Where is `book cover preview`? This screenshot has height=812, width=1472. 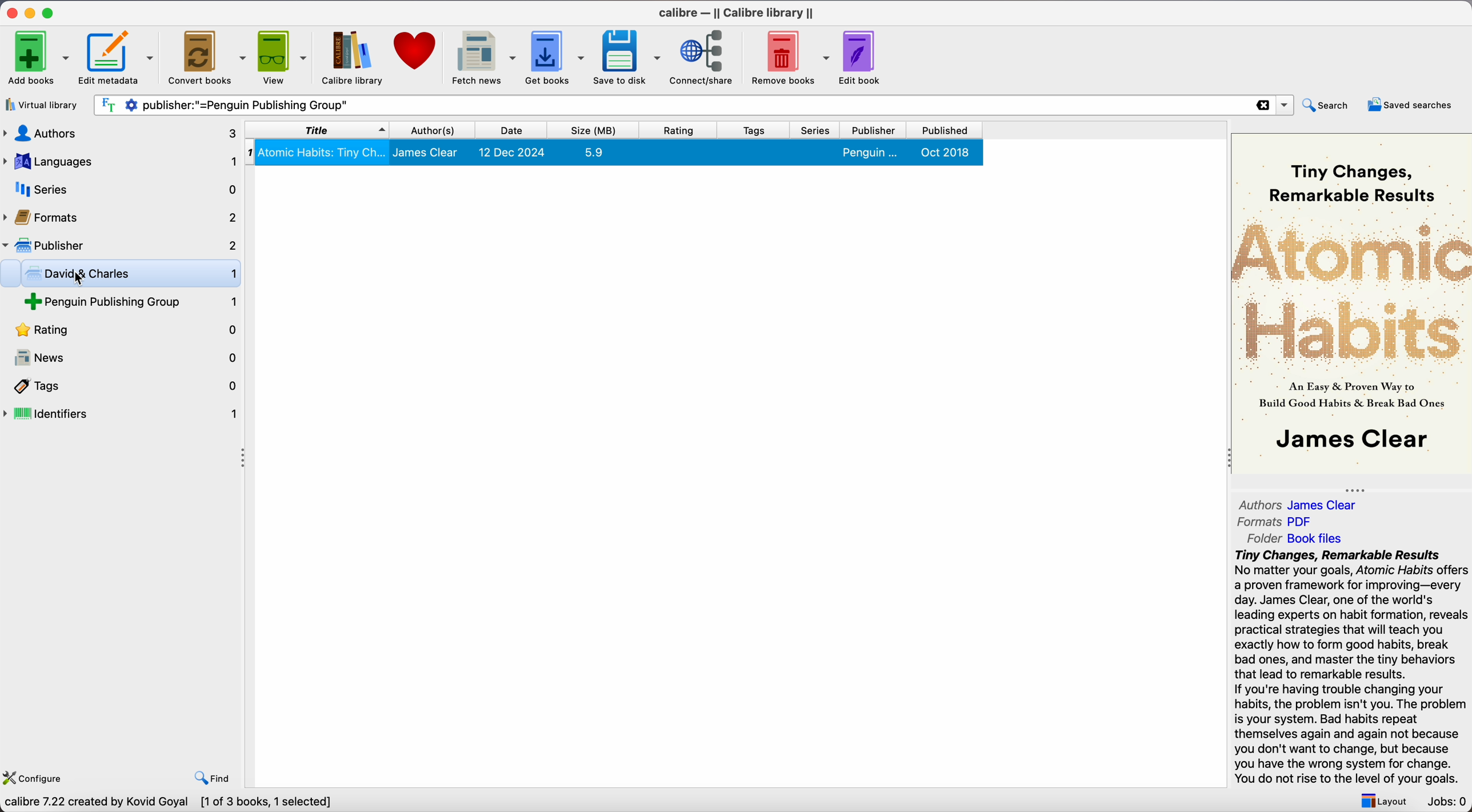
book cover preview is located at coordinates (1351, 305).